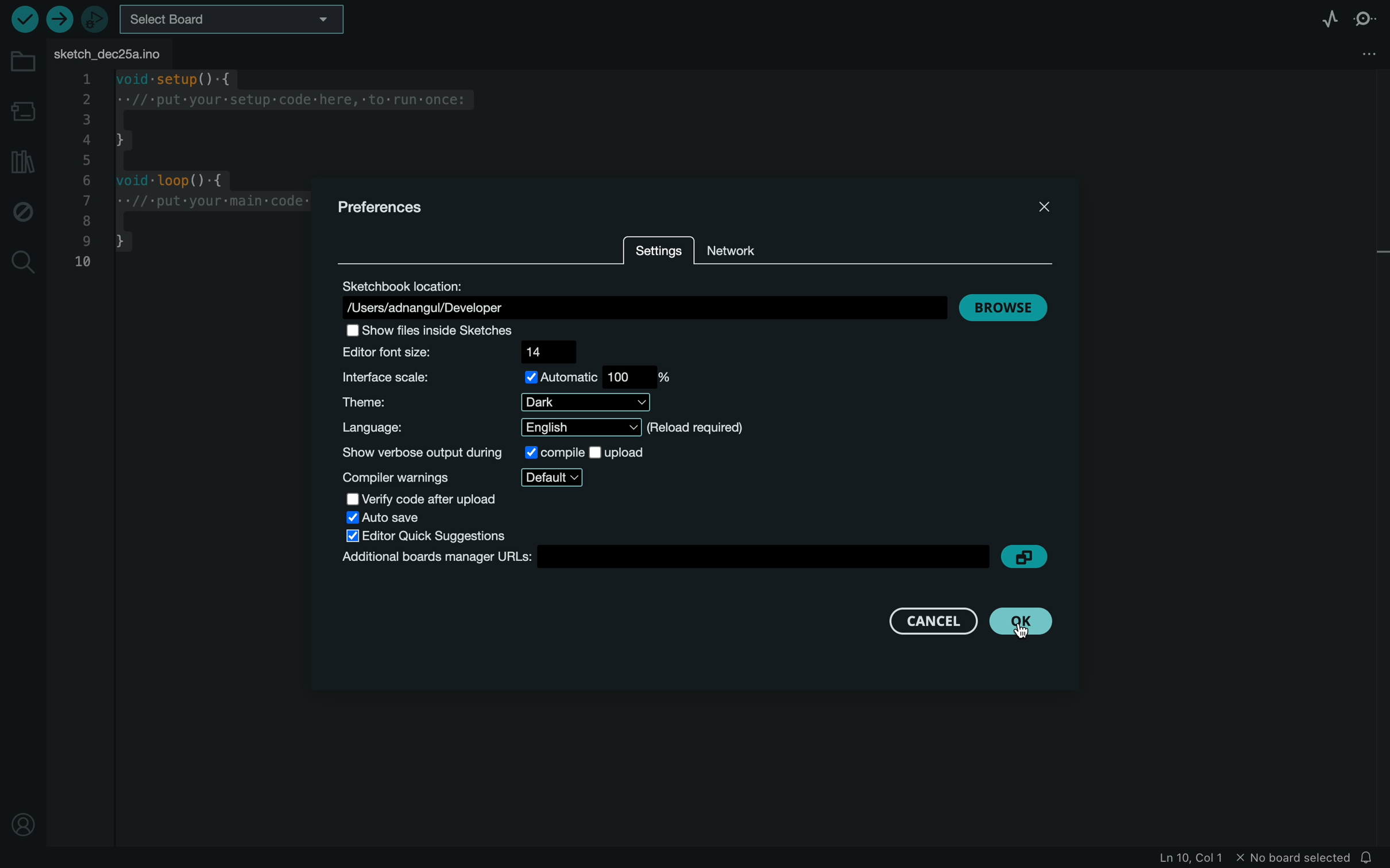 The width and height of the screenshot is (1390, 868). I want to click on theme, so click(491, 403).